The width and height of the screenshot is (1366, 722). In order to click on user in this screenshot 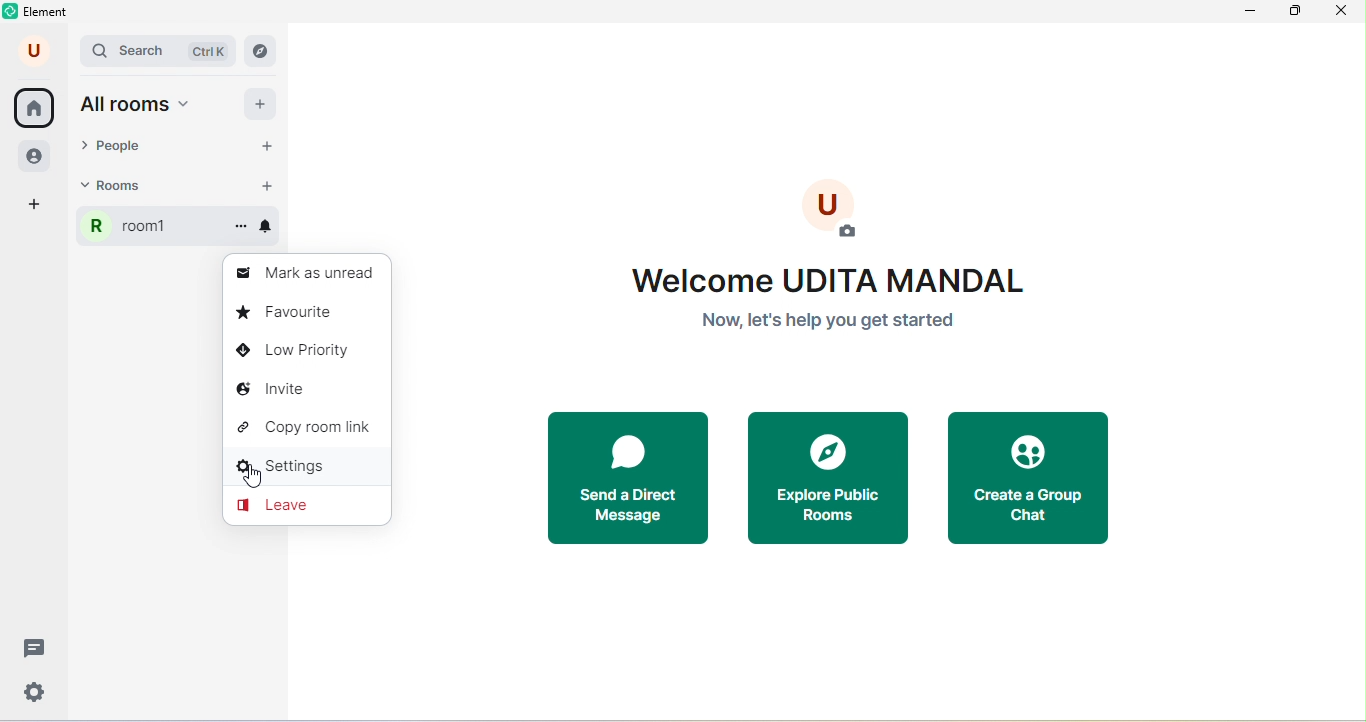, I will do `click(36, 50)`.